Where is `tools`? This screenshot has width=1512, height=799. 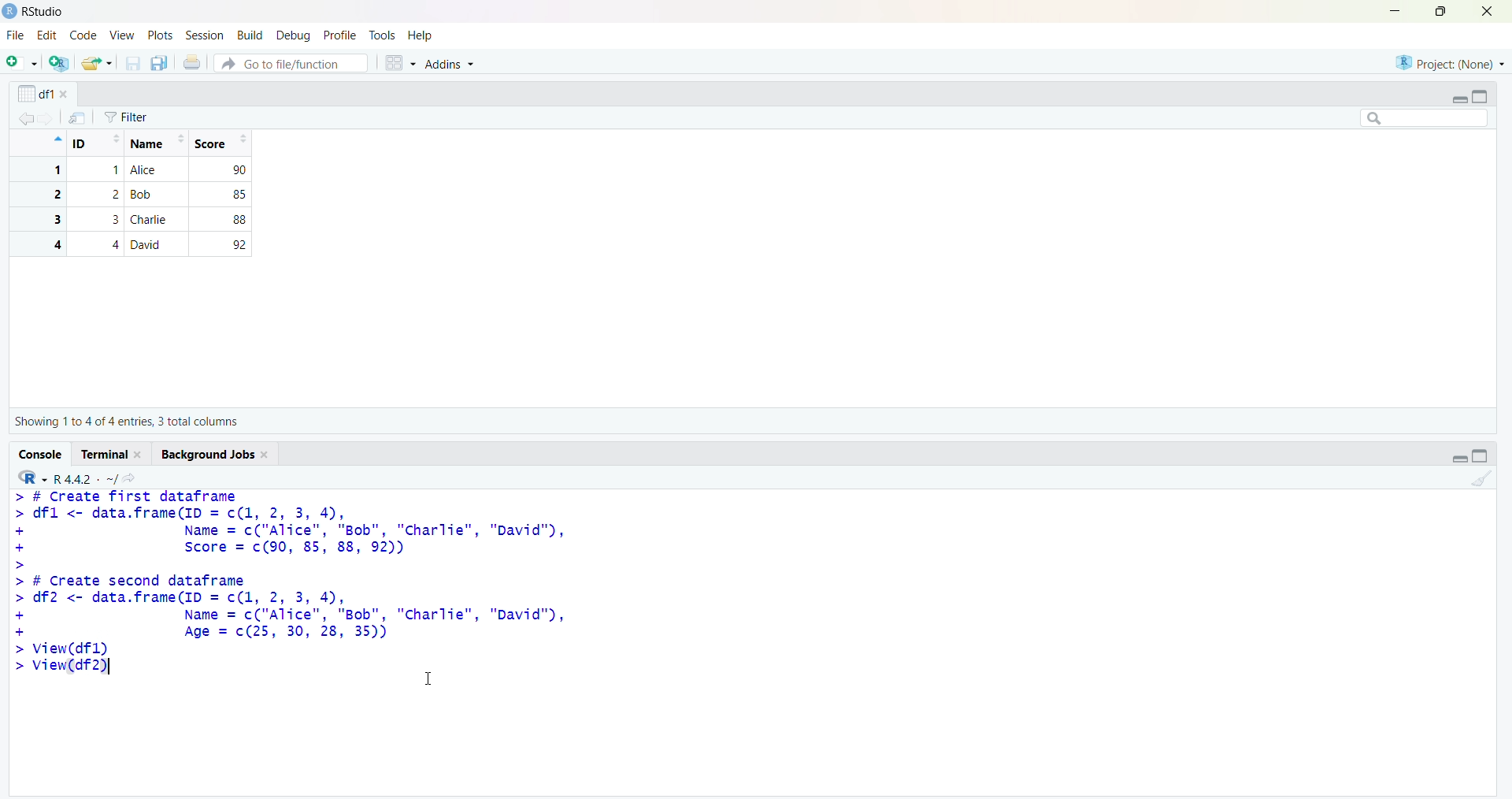 tools is located at coordinates (383, 35).